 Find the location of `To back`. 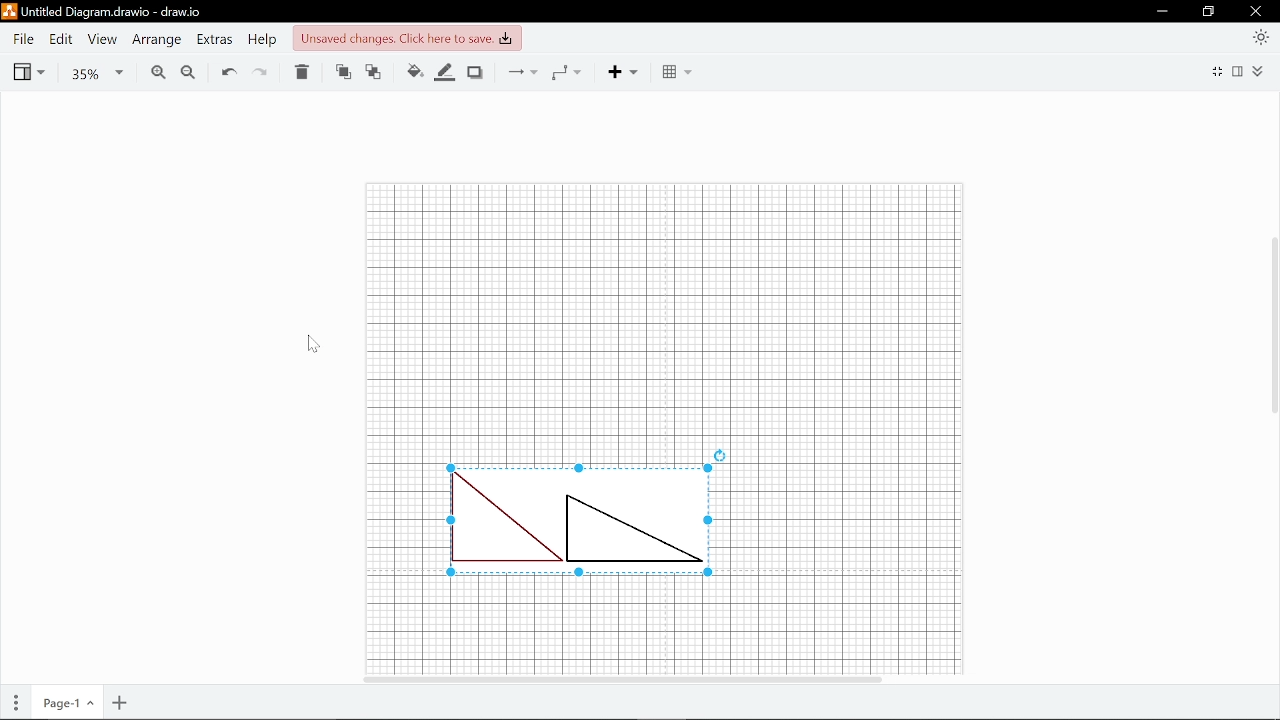

To back is located at coordinates (373, 73).